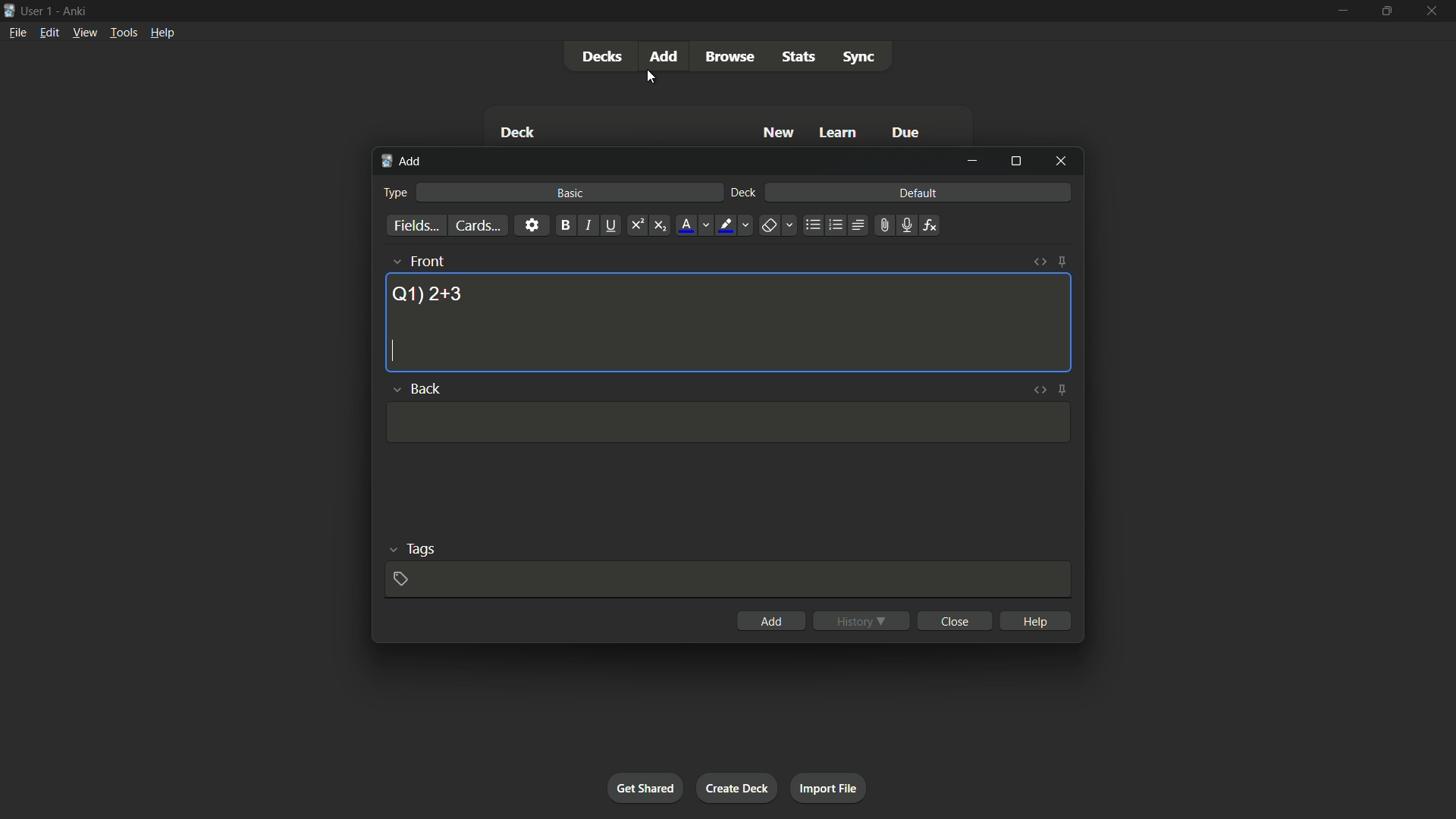 The width and height of the screenshot is (1456, 819). What do you see at coordinates (601, 57) in the screenshot?
I see `decks` at bounding box center [601, 57].